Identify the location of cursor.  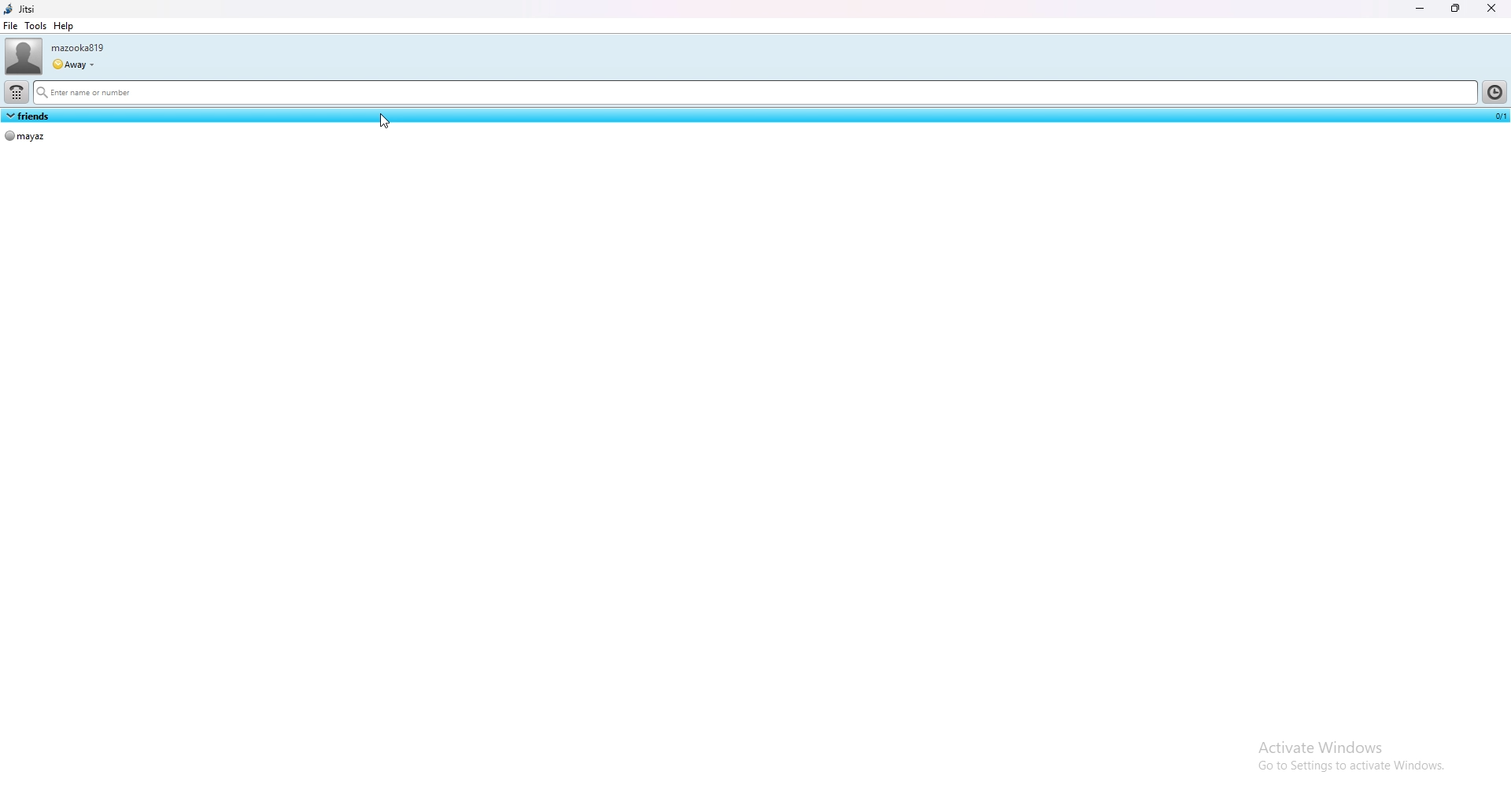
(387, 120).